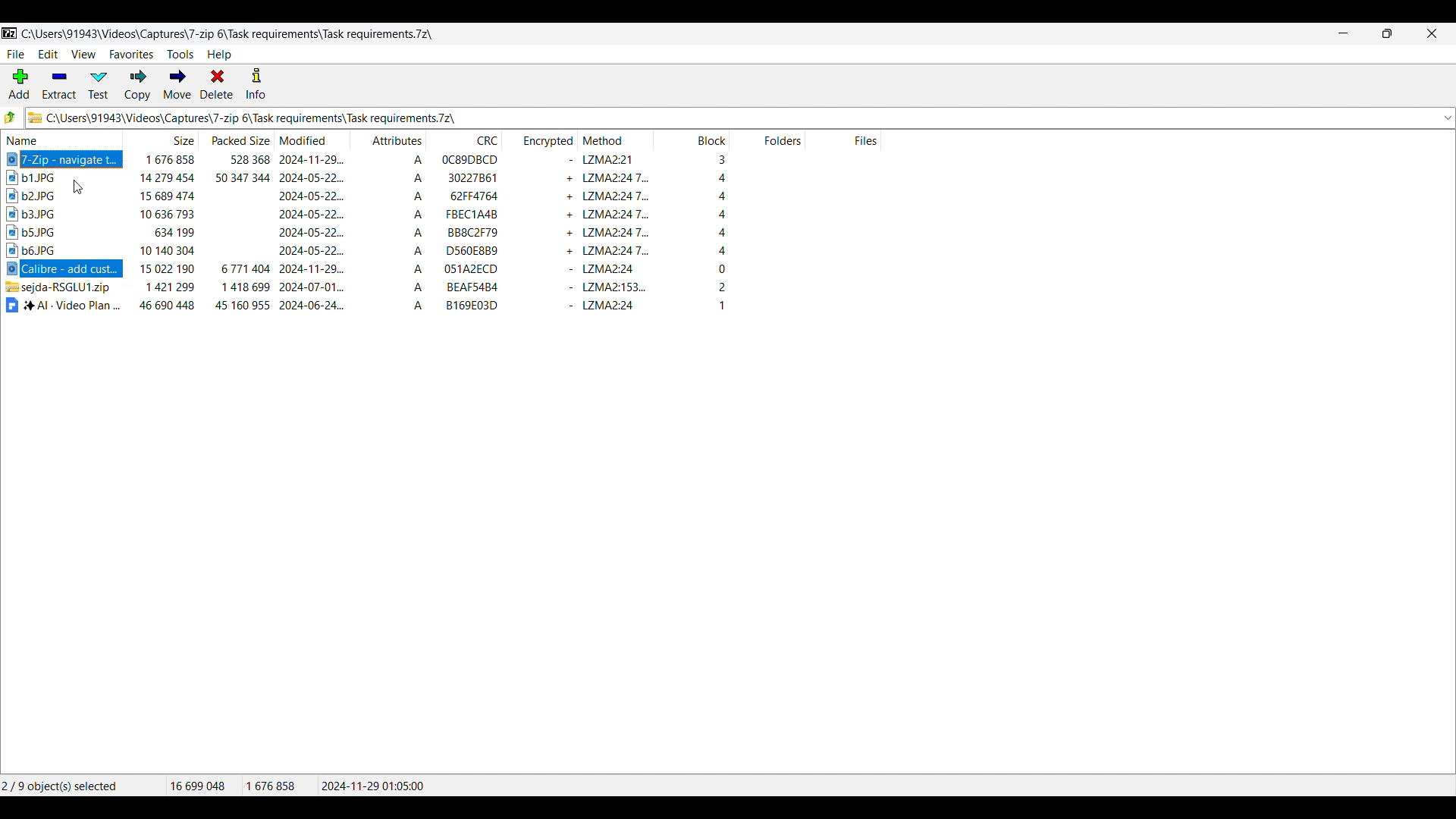 This screenshot has height=819, width=1456. What do you see at coordinates (1344, 33) in the screenshot?
I see `Minimize` at bounding box center [1344, 33].